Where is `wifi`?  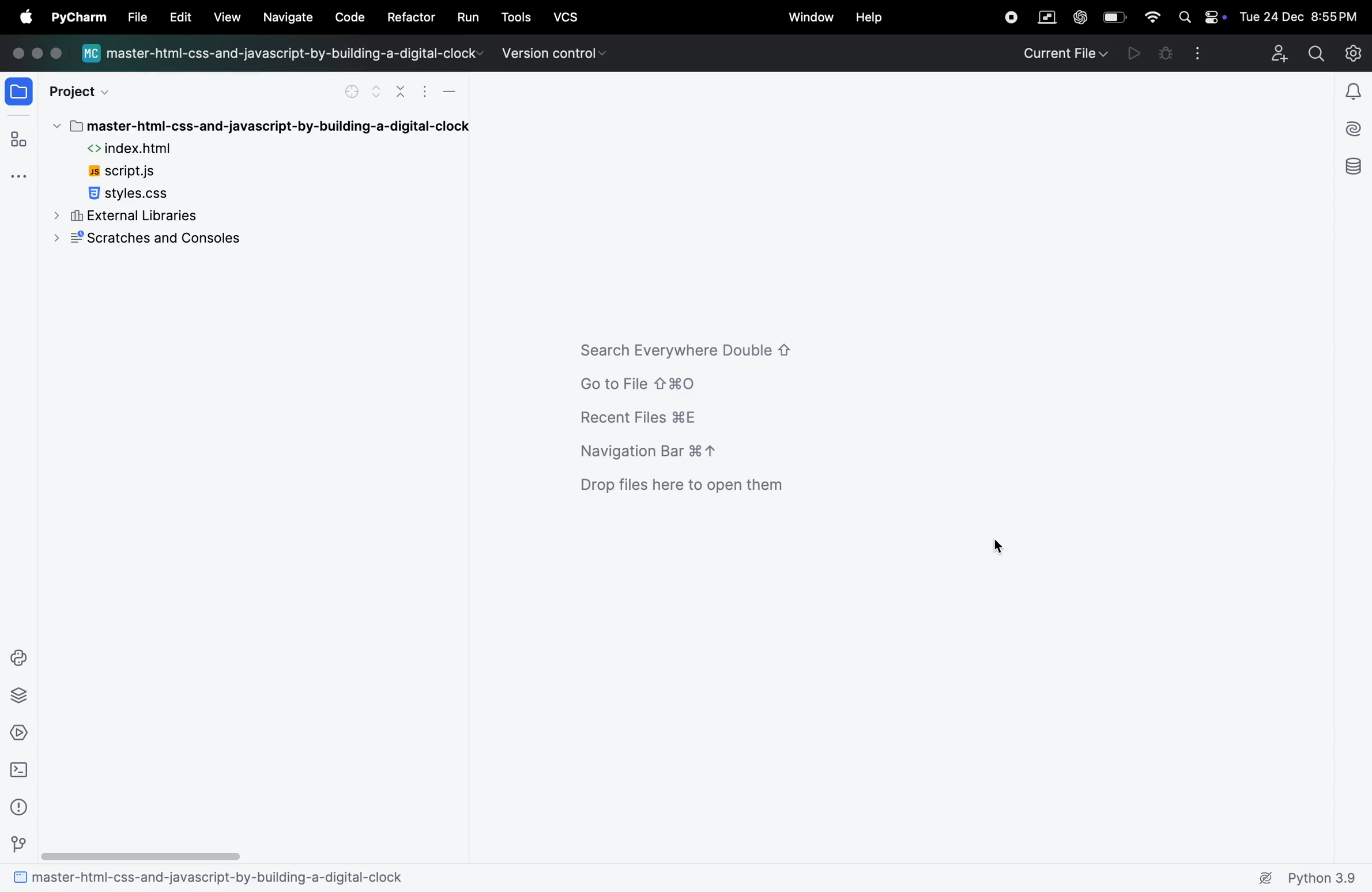
wifi is located at coordinates (1149, 18).